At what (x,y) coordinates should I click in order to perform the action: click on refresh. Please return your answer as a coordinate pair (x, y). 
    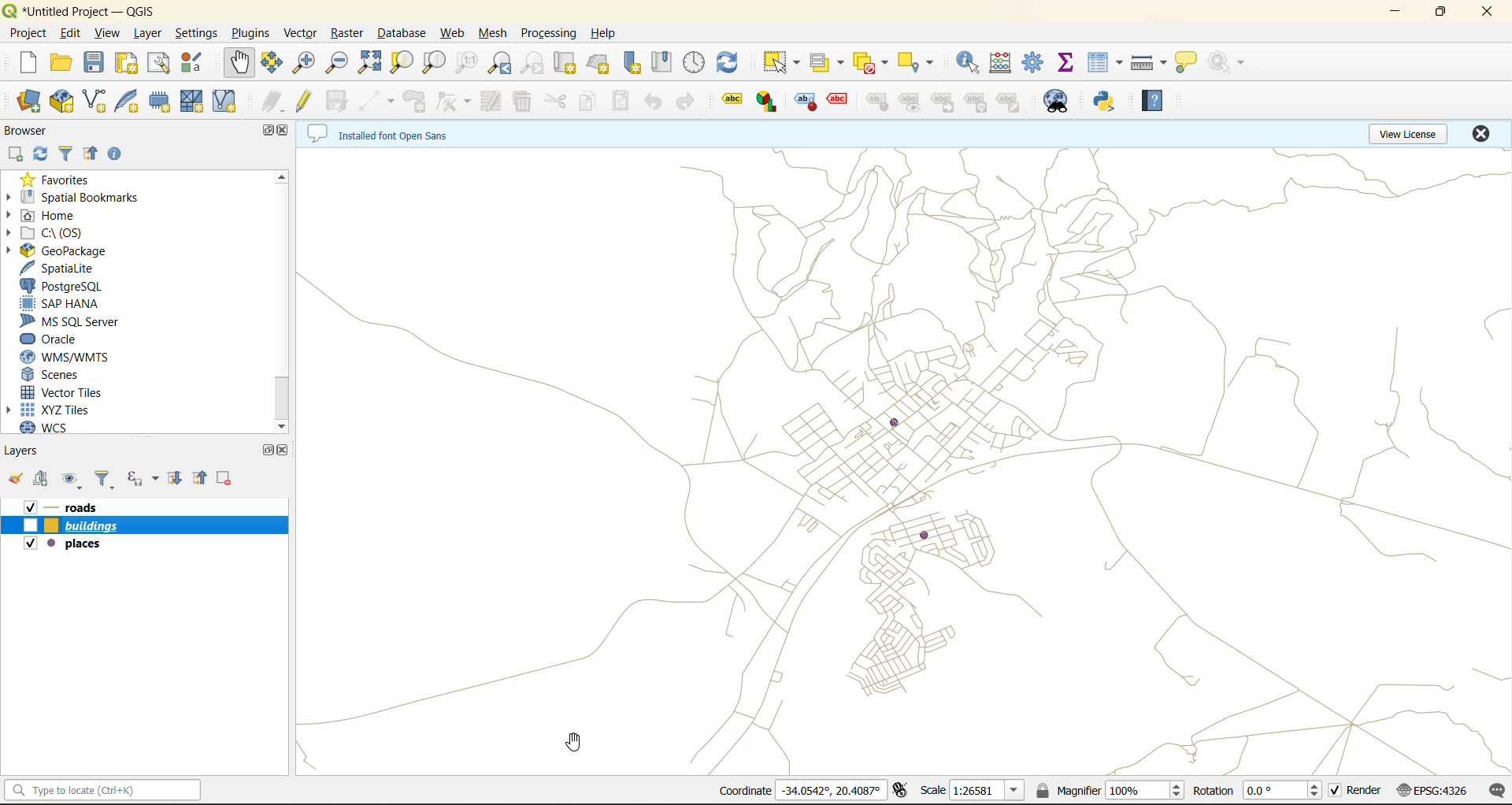
    Looking at the image, I should click on (731, 61).